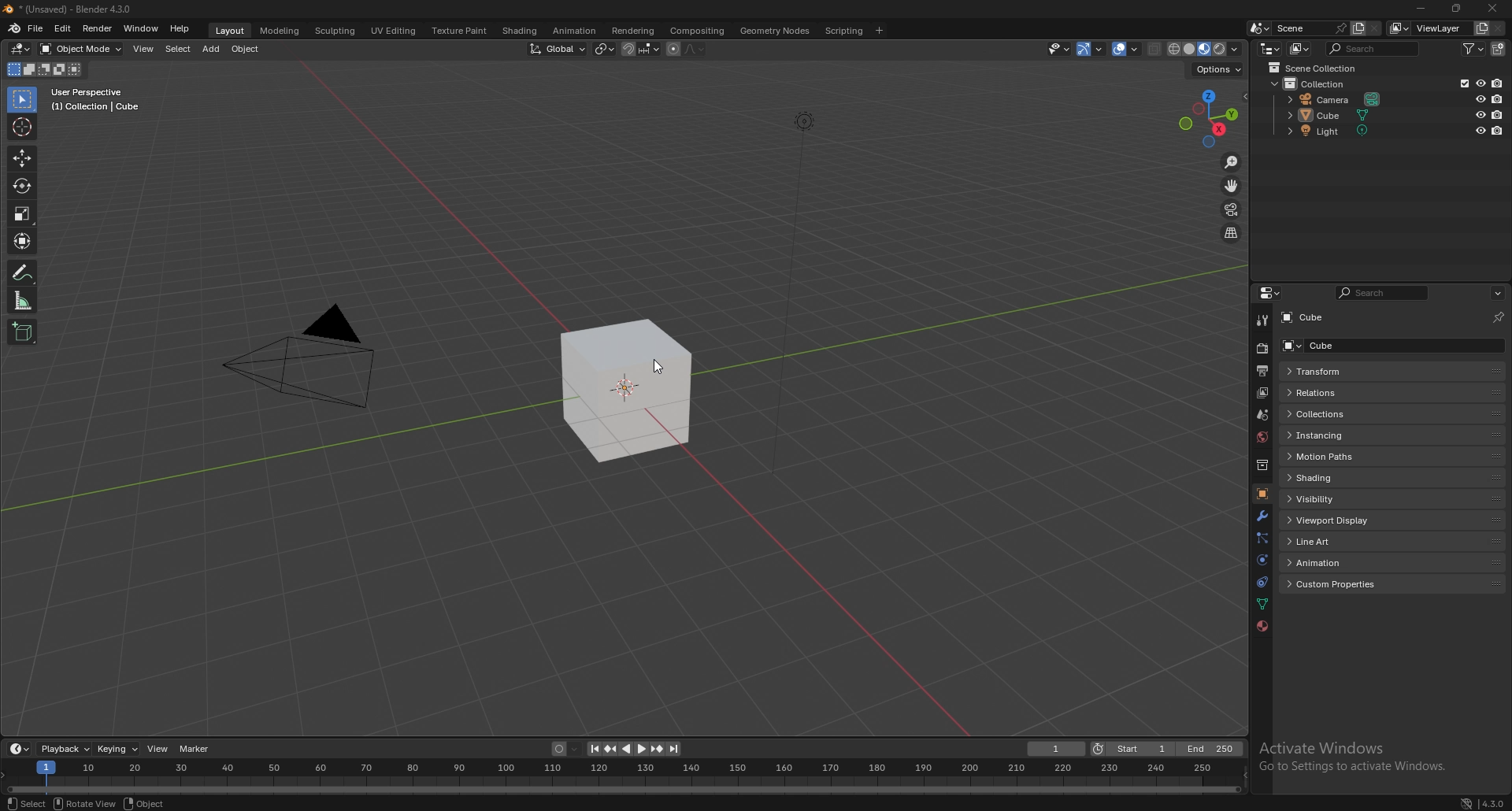  What do you see at coordinates (13, 29) in the screenshot?
I see `blender` at bounding box center [13, 29].